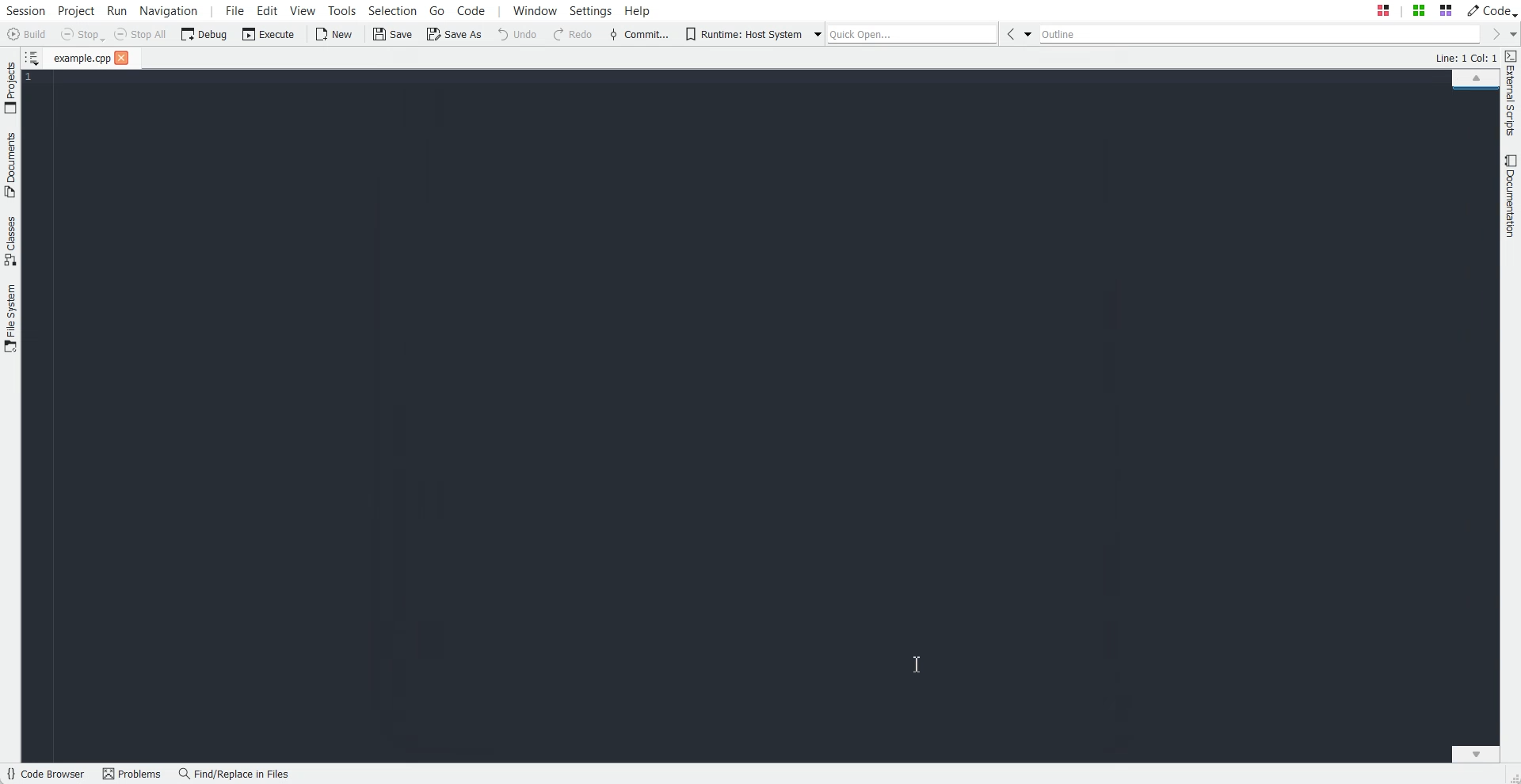 This screenshot has height=784, width=1521. Describe the element at coordinates (25, 33) in the screenshot. I see `Build` at that location.